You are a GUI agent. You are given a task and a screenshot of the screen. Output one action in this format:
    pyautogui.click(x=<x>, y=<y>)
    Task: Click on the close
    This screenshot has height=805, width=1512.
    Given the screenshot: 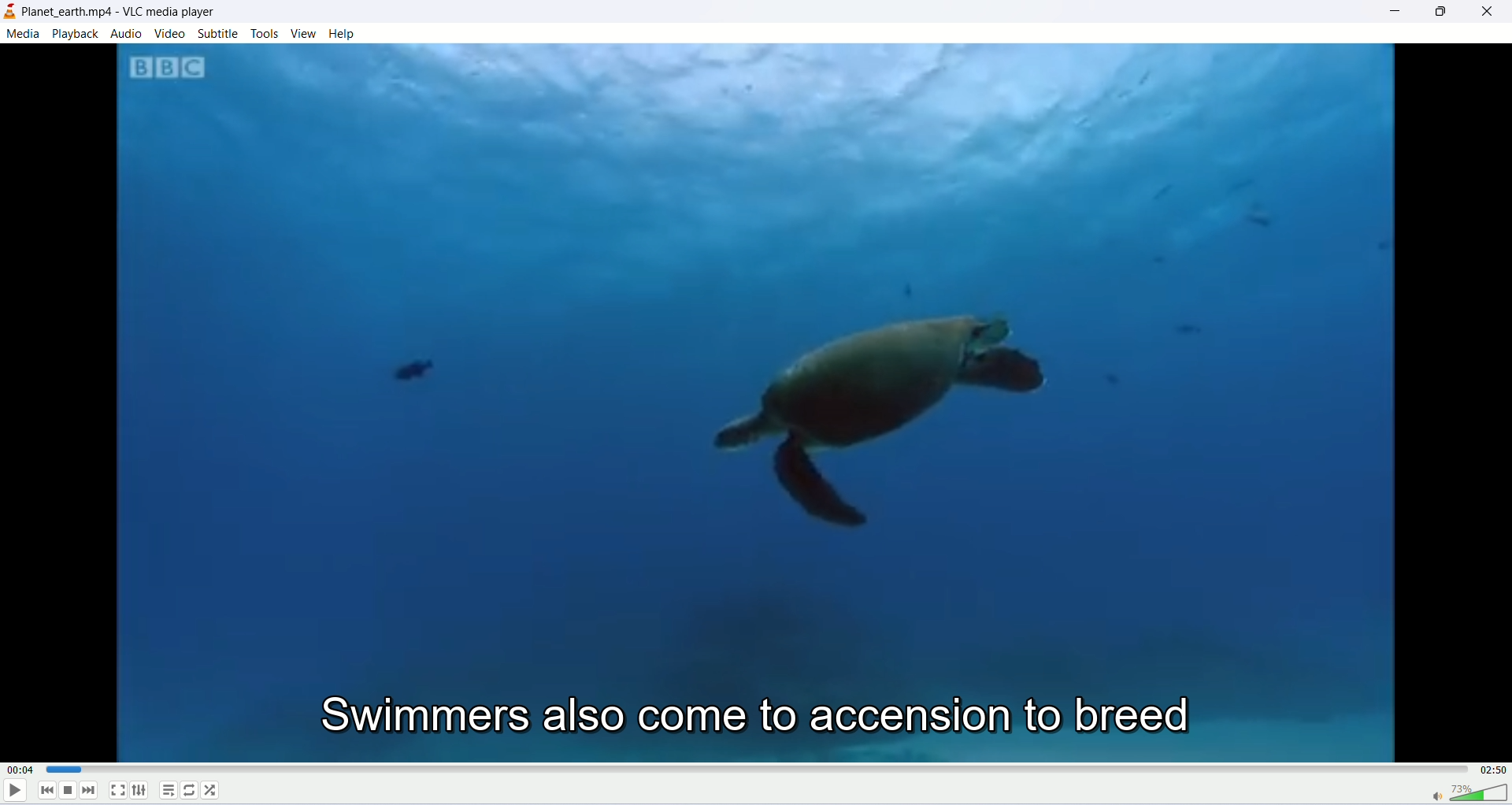 What is the action you would take?
    pyautogui.click(x=1486, y=12)
    